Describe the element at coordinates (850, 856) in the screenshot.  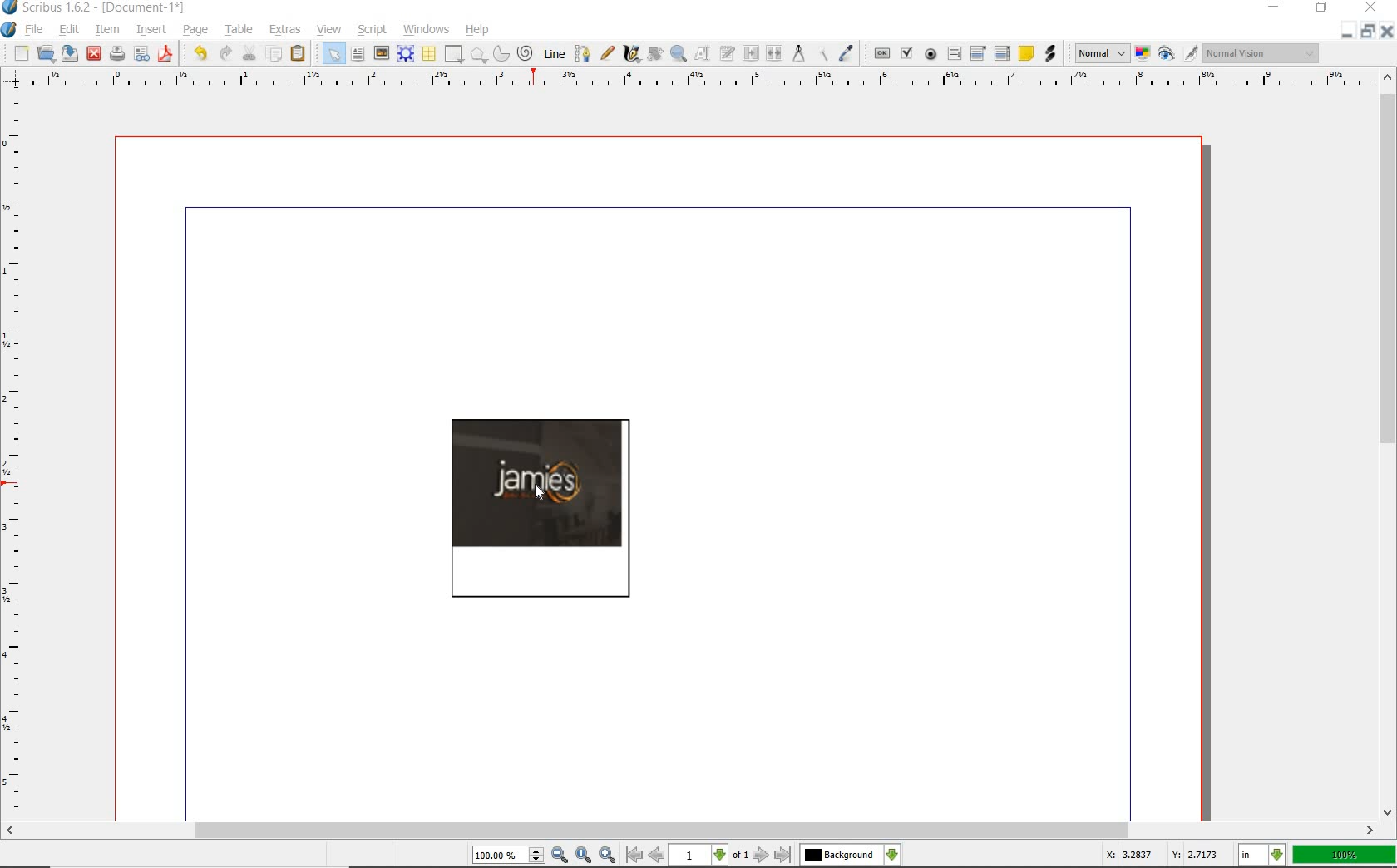
I see `select the current layer` at that location.